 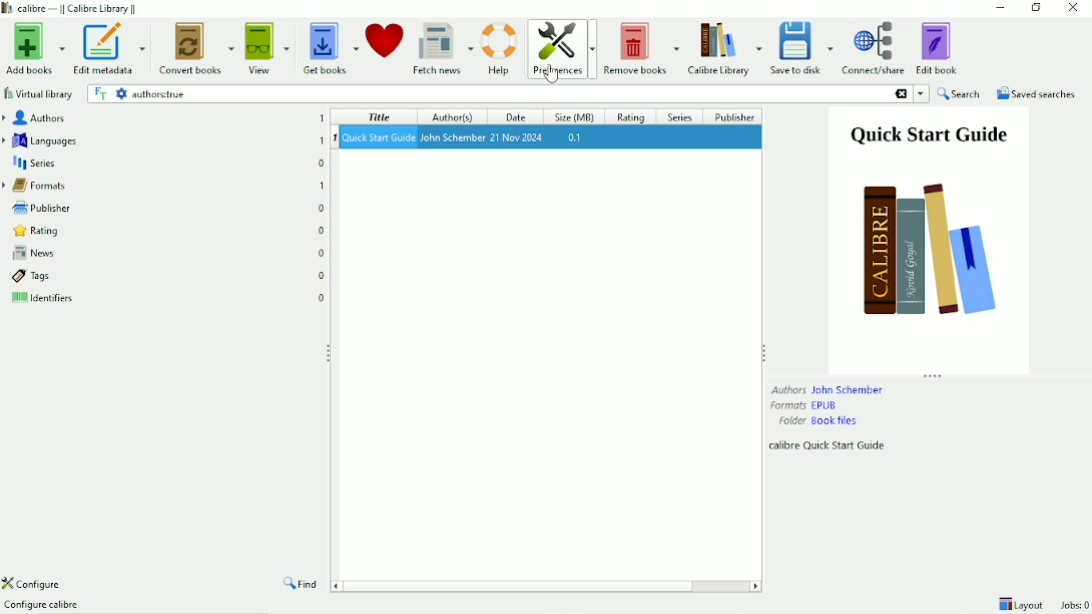 What do you see at coordinates (681, 116) in the screenshot?
I see `Series` at bounding box center [681, 116].